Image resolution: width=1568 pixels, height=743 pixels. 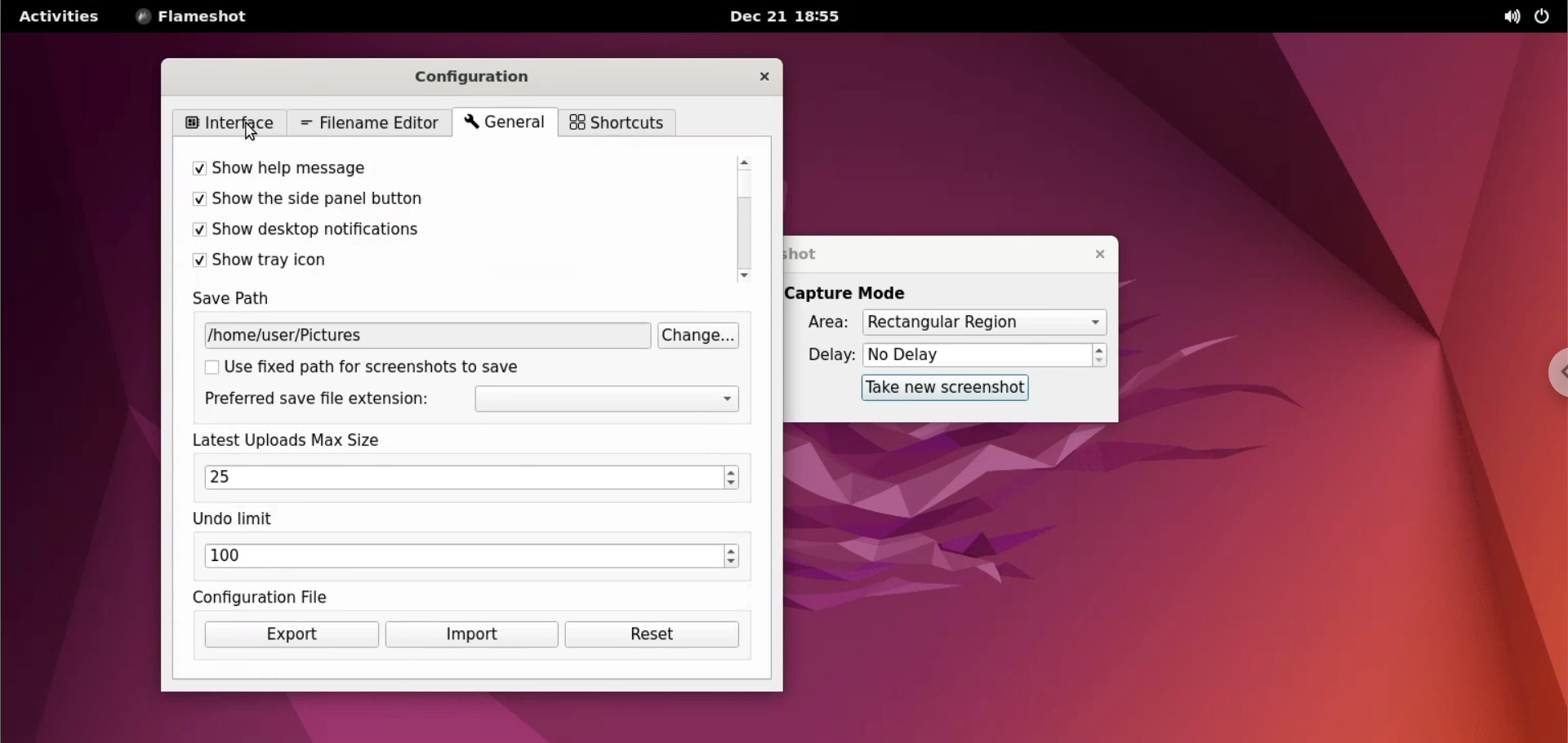 I want to click on take new screenshot, so click(x=938, y=387).